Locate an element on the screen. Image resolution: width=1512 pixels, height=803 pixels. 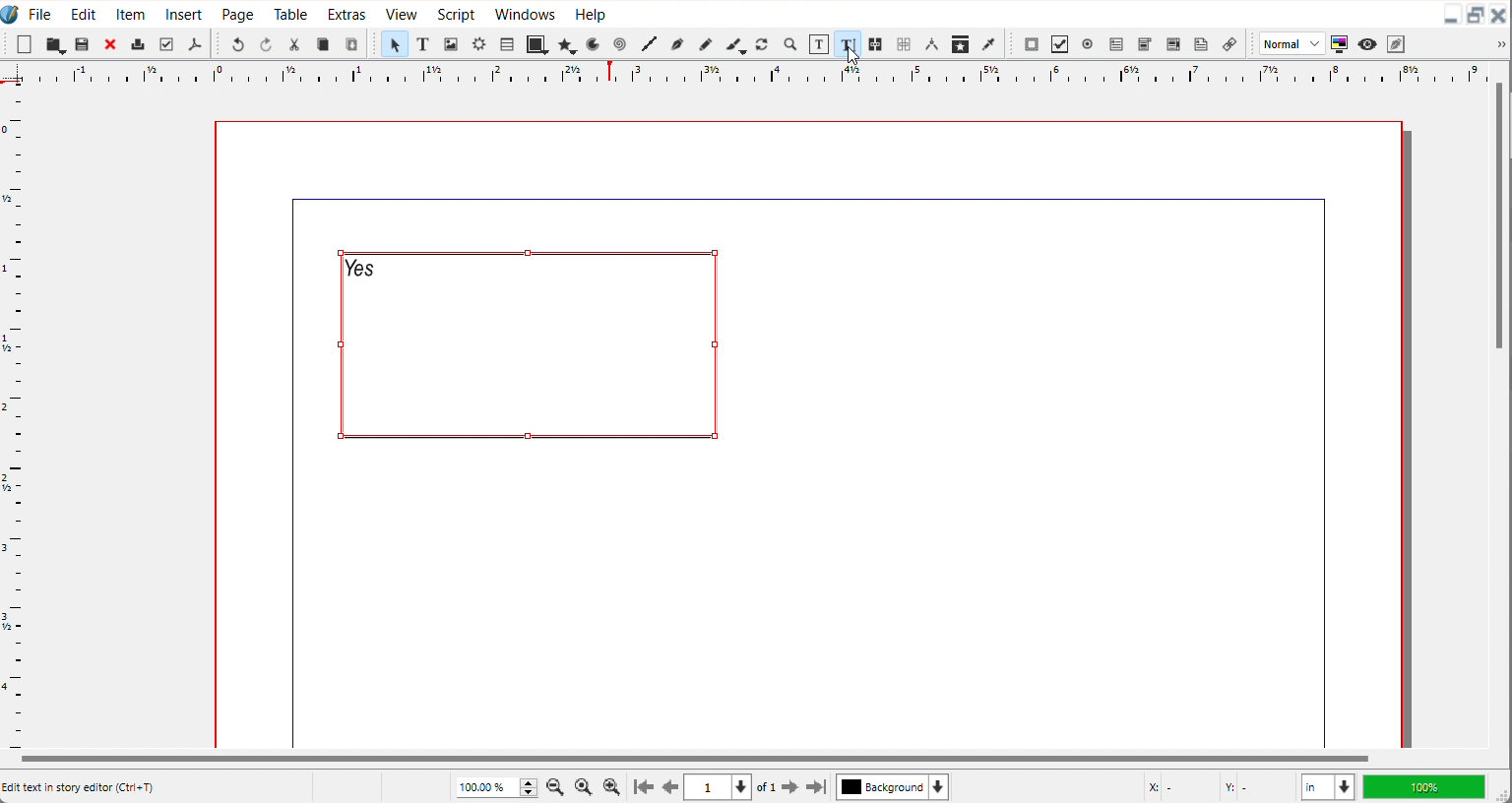
Spiral is located at coordinates (618, 44).